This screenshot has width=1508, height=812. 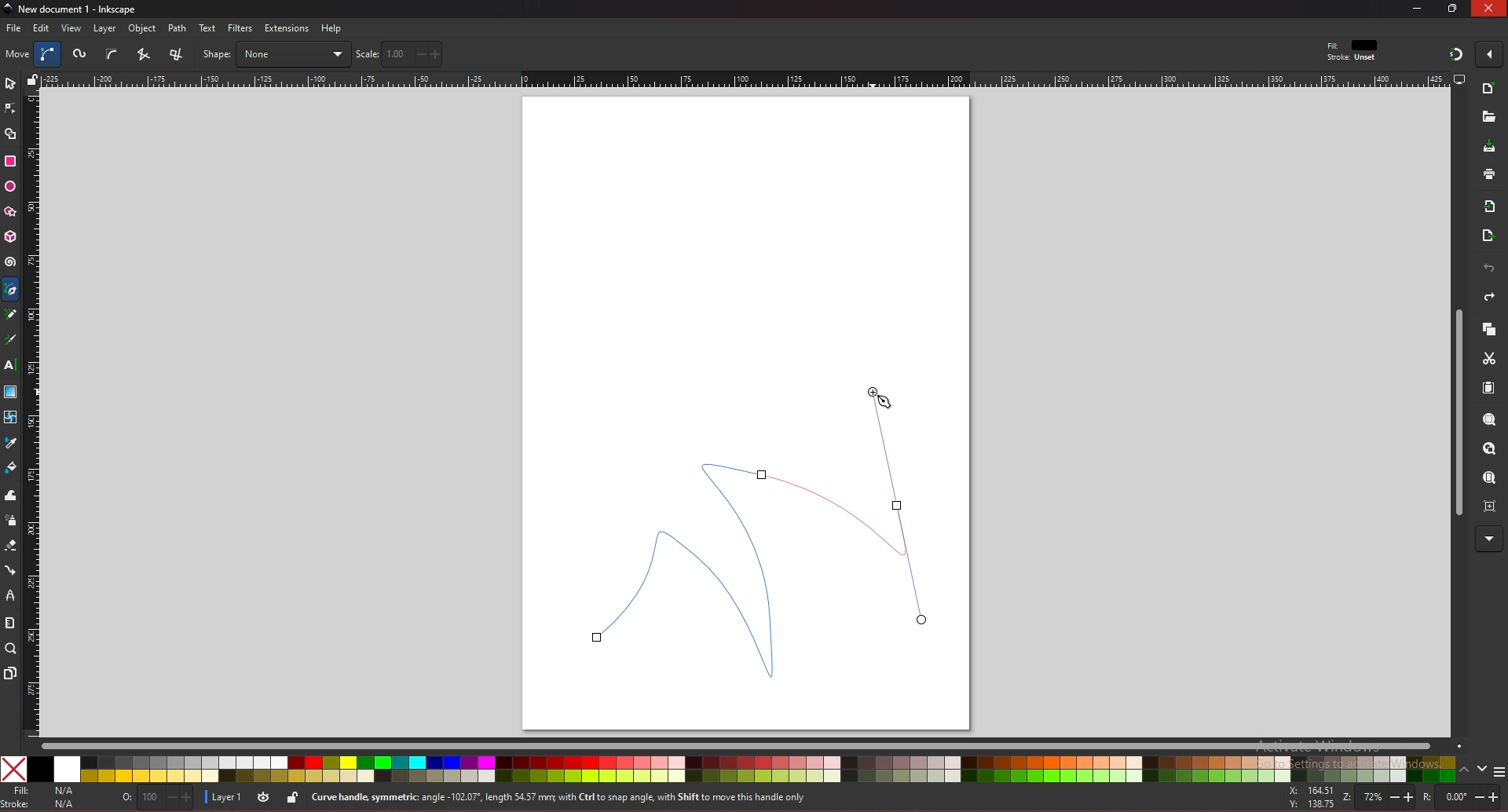 What do you see at coordinates (11, 571) in the screenshot?
I see `connector` at bounding box center [11, 571].